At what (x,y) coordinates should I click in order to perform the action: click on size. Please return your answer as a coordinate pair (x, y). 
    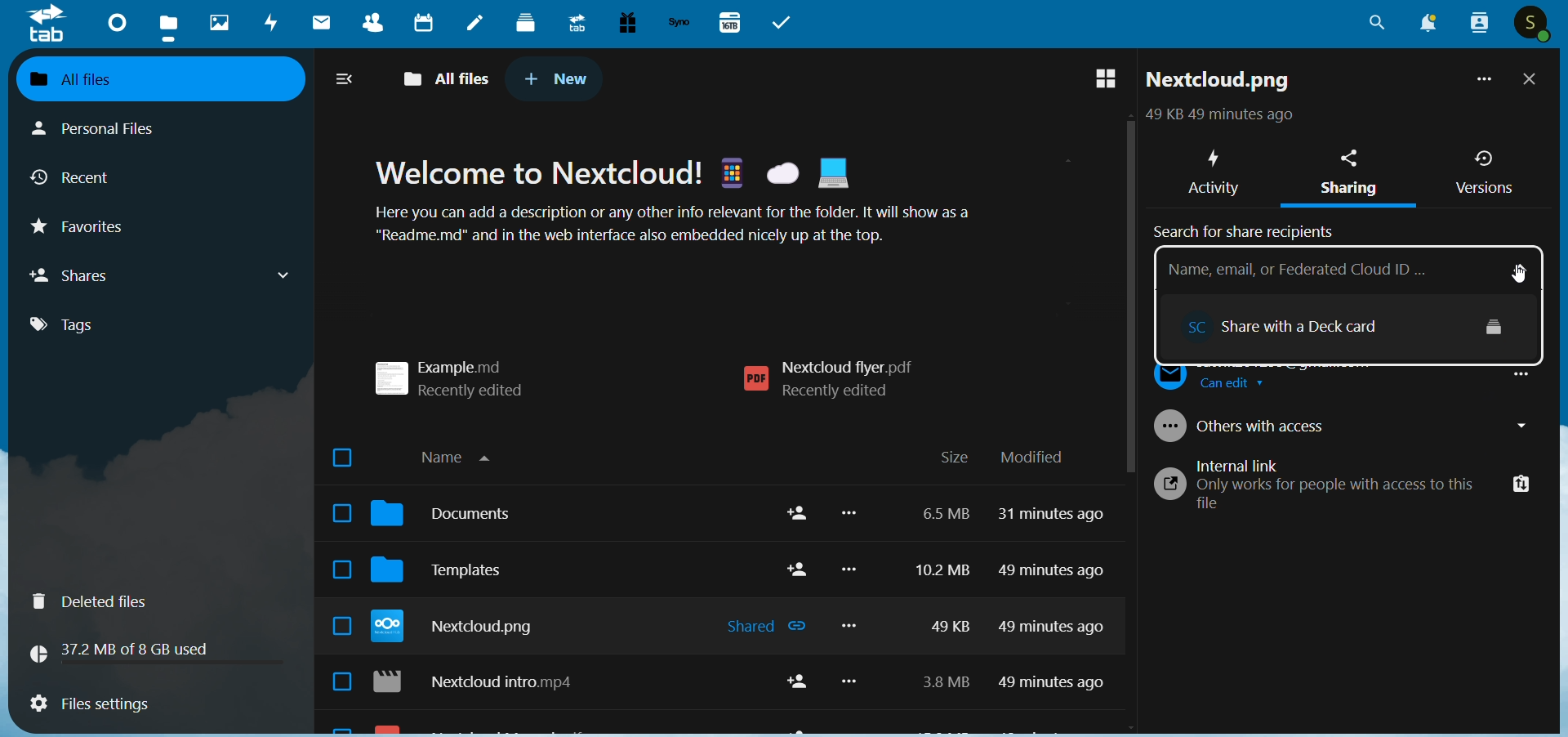
    Looking at the image, I should click on (954, 458).